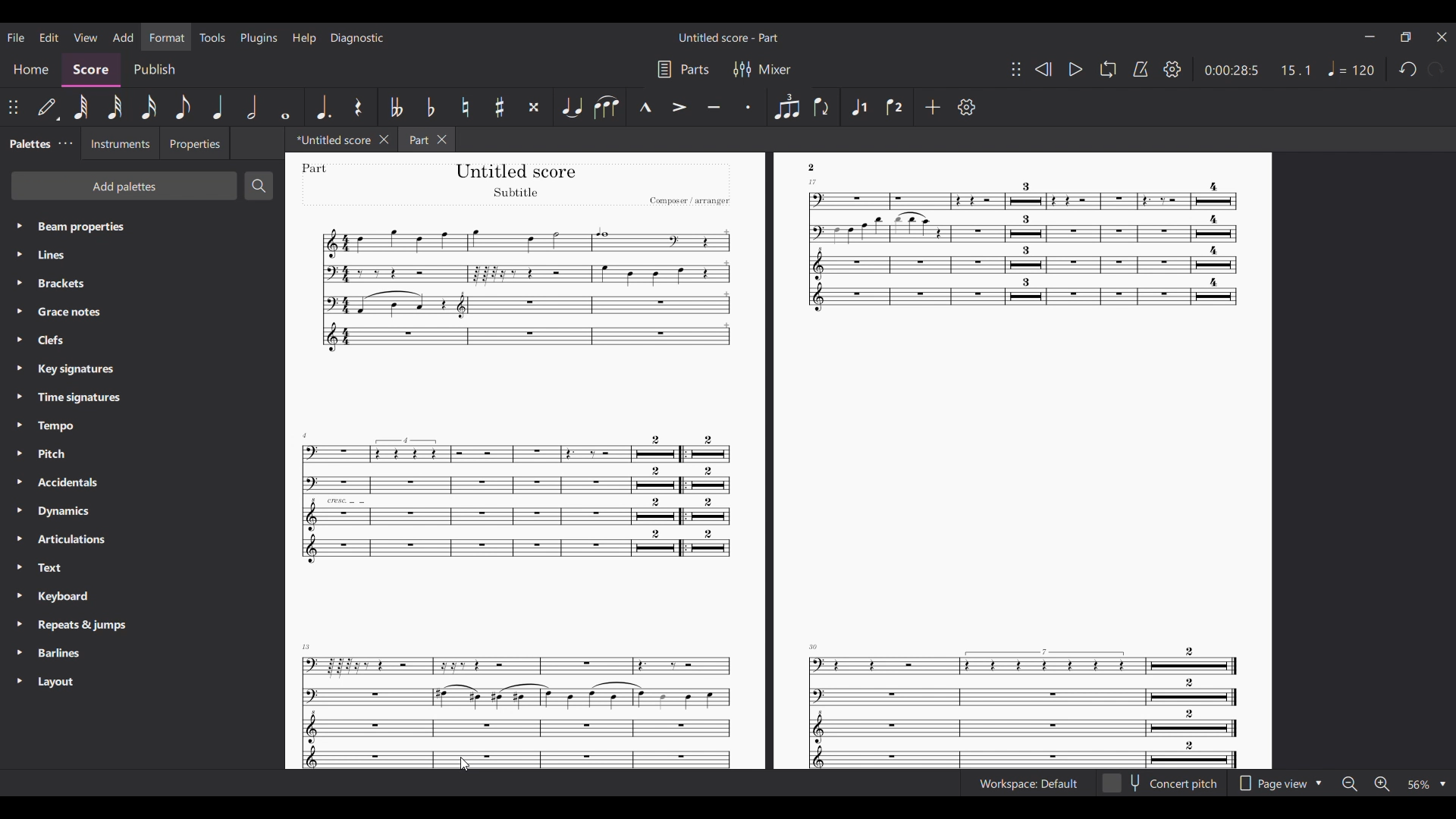 The image size is (1456, 819). Describe the element at coordinates (1442, 36) in the screenshot. I see `Close interface` at that location.